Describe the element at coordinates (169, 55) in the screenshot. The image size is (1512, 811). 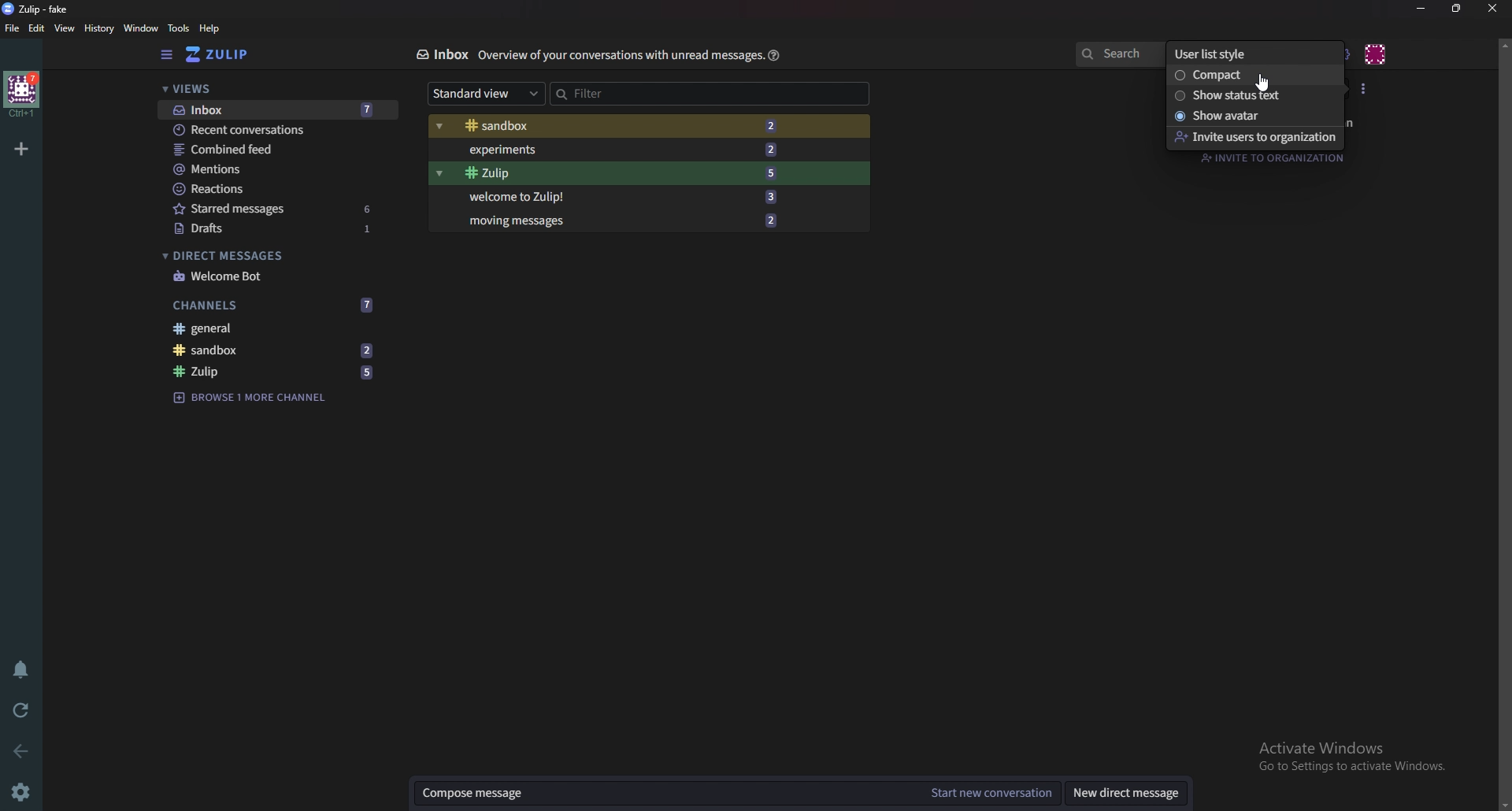
I see `Hide sidebar` at that location.